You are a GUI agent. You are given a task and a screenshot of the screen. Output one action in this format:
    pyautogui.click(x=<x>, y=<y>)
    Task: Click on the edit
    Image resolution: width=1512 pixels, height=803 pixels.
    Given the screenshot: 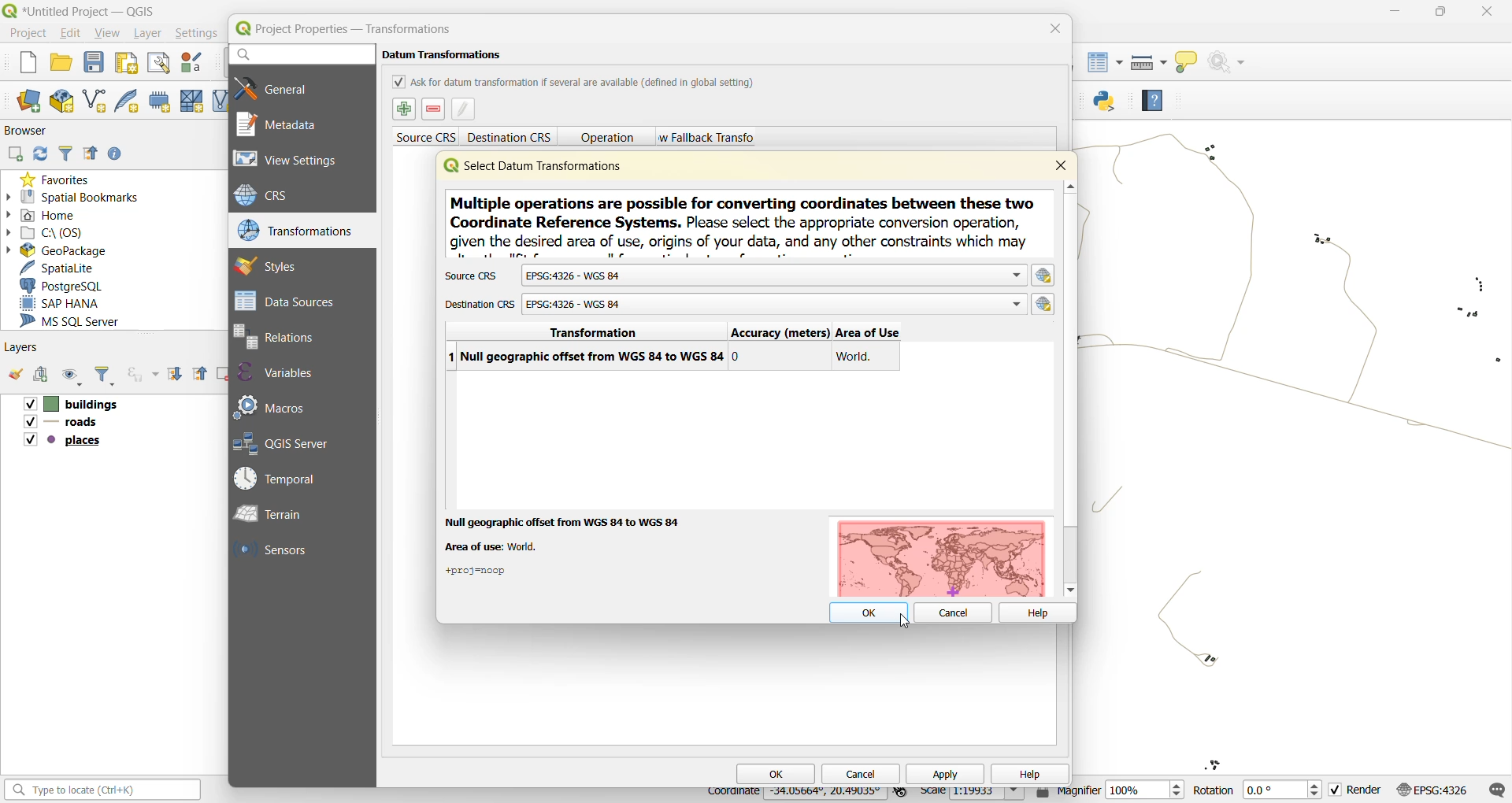 What is the action you would take?
    pyautogui.click(x=463, y=110)
    